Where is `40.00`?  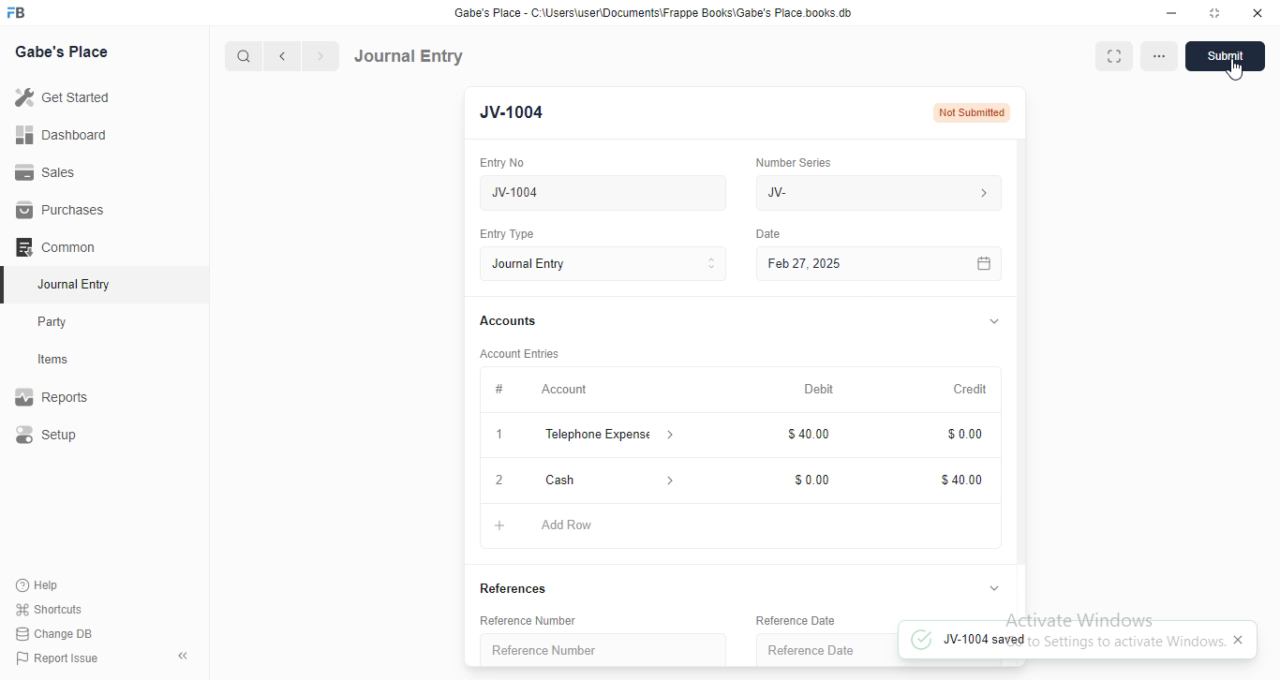 40.00 is located at coordinates (953, 482).